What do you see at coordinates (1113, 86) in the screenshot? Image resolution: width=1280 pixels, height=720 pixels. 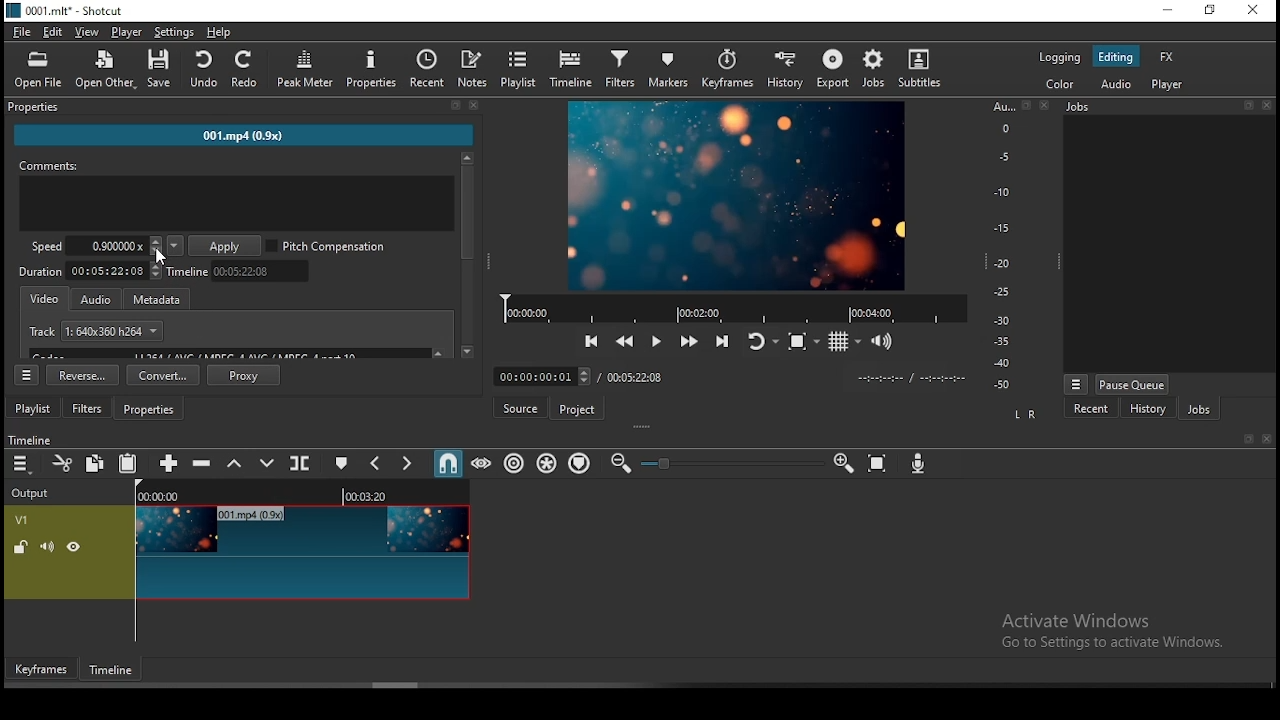 I see `audio` at bounding box center [1113, 86].